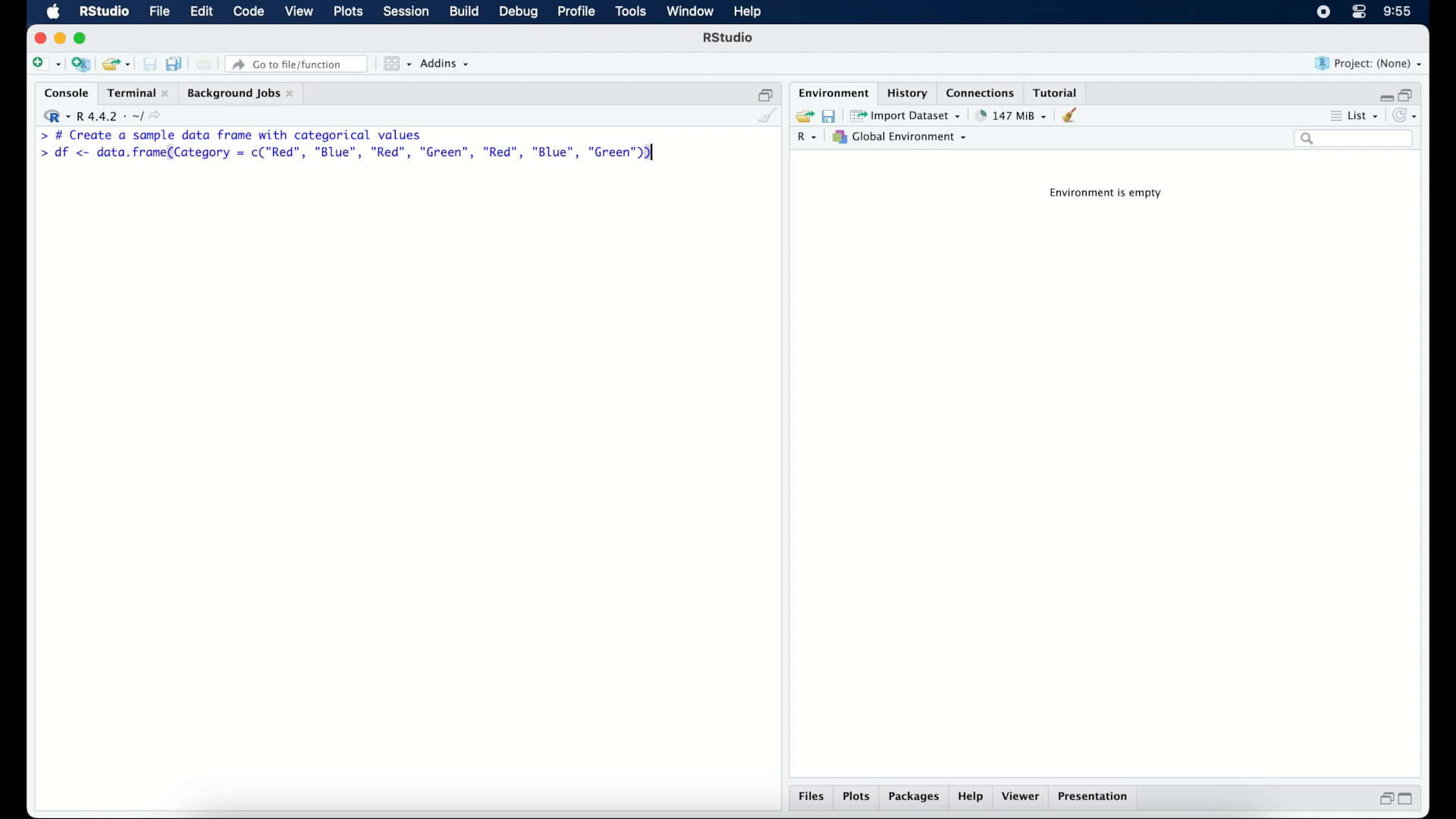 The height and width of the screenshot is (819, 1456). Describe the element at coordinates (973, 798) in the screenshot. I see `help` at that location.